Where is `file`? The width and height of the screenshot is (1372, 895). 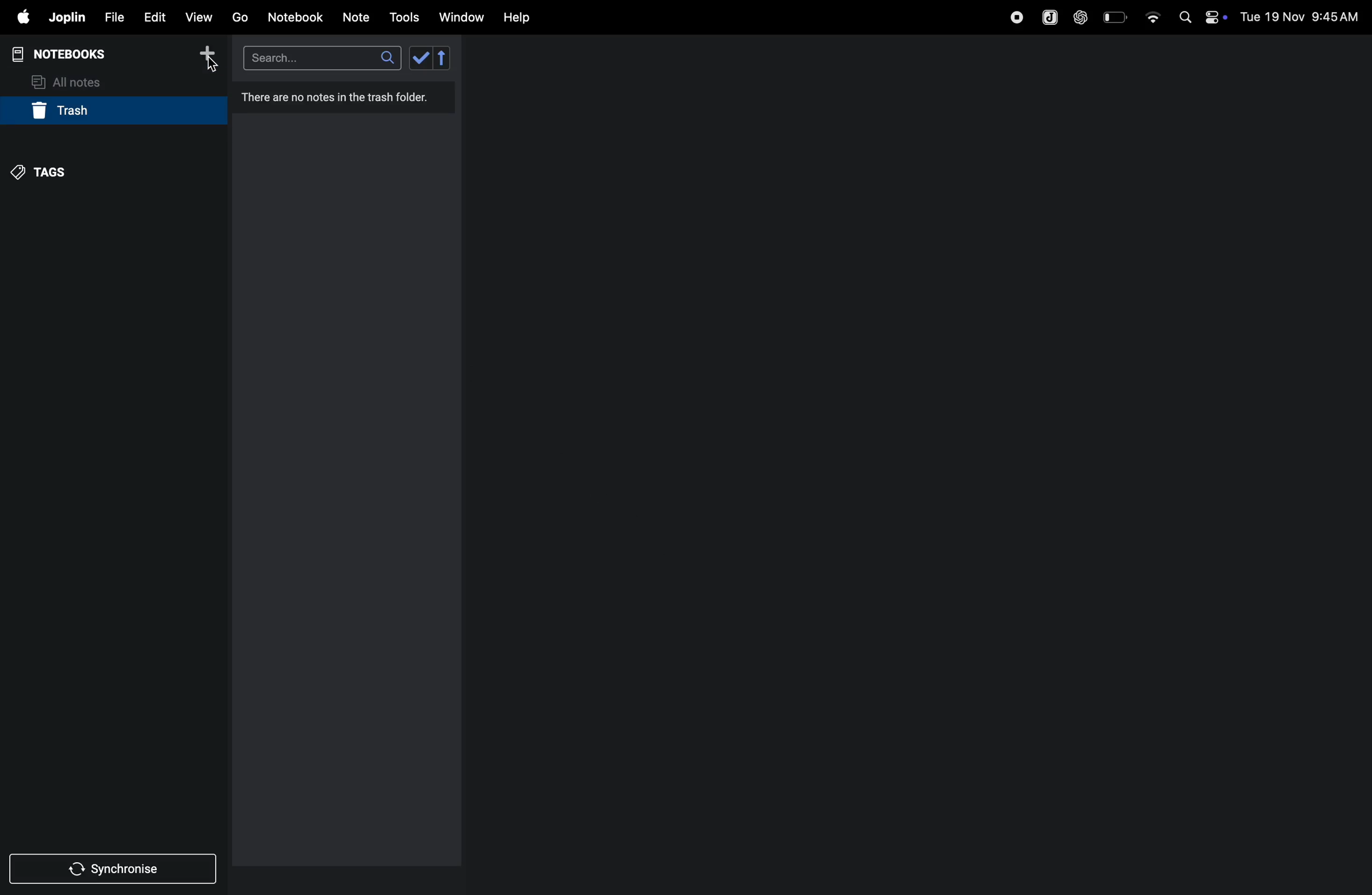 file is located at coordinates (112, 18).